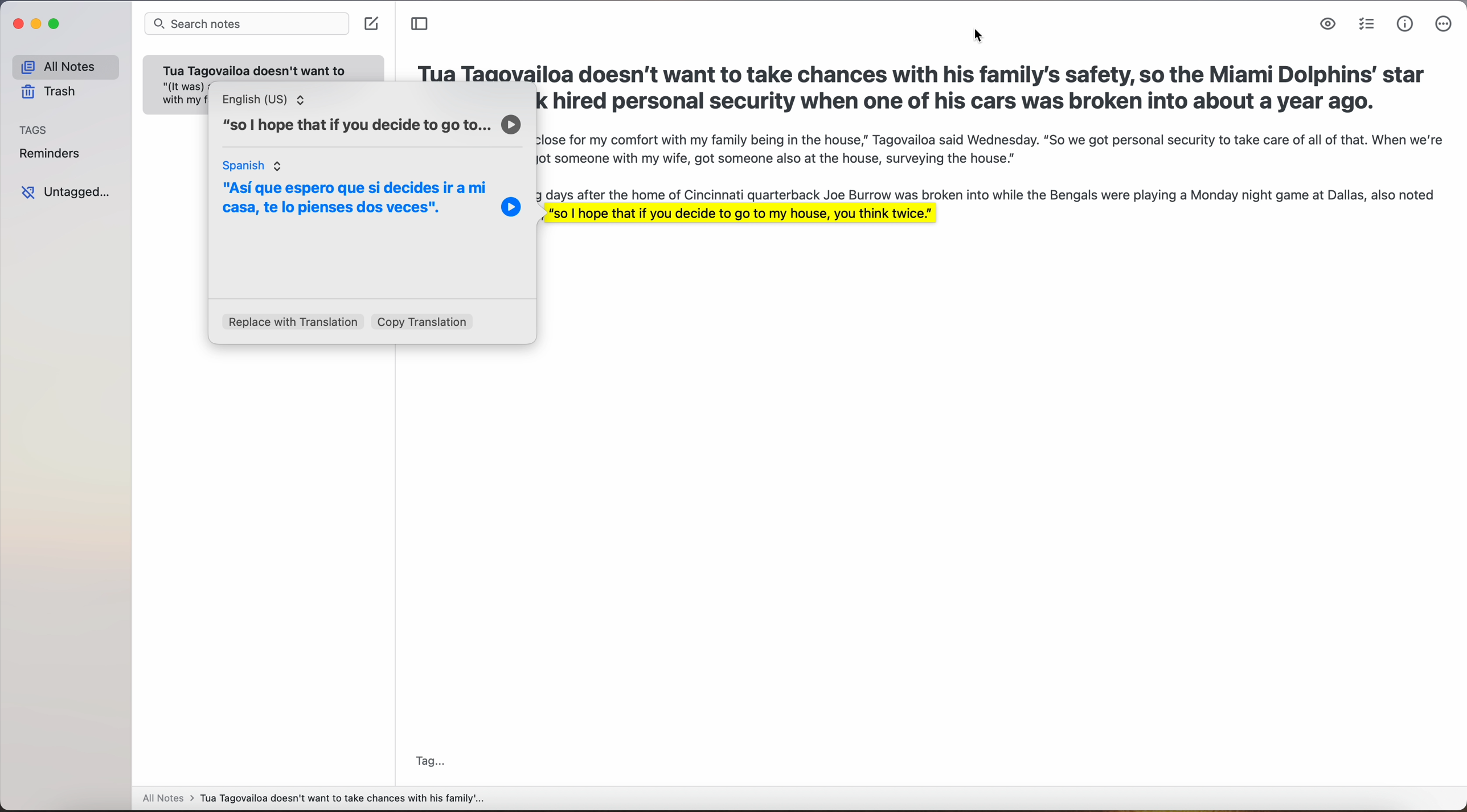  I want to click on untagged, so click(68, 192).